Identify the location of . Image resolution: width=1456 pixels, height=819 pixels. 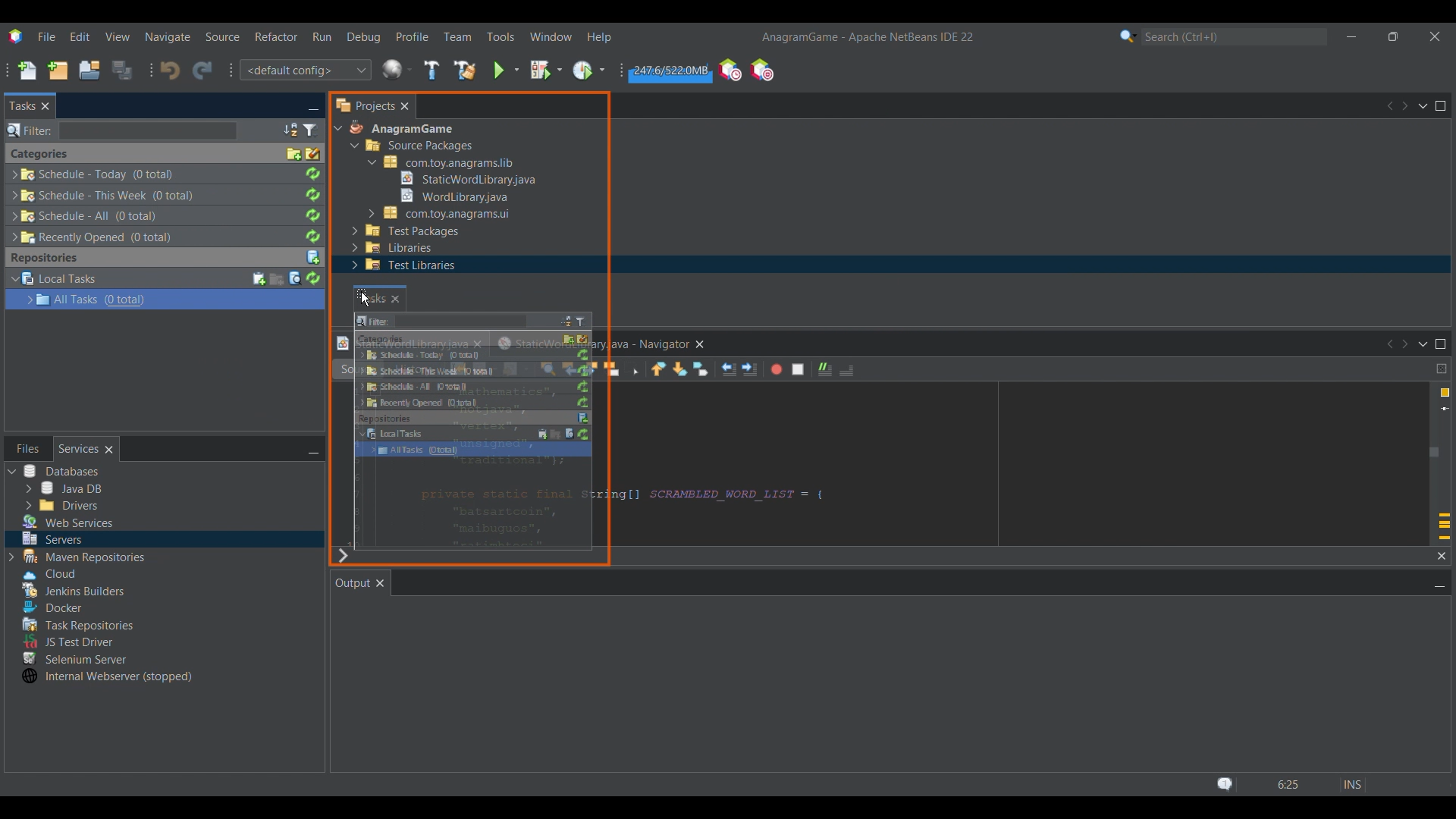
(379, 297).